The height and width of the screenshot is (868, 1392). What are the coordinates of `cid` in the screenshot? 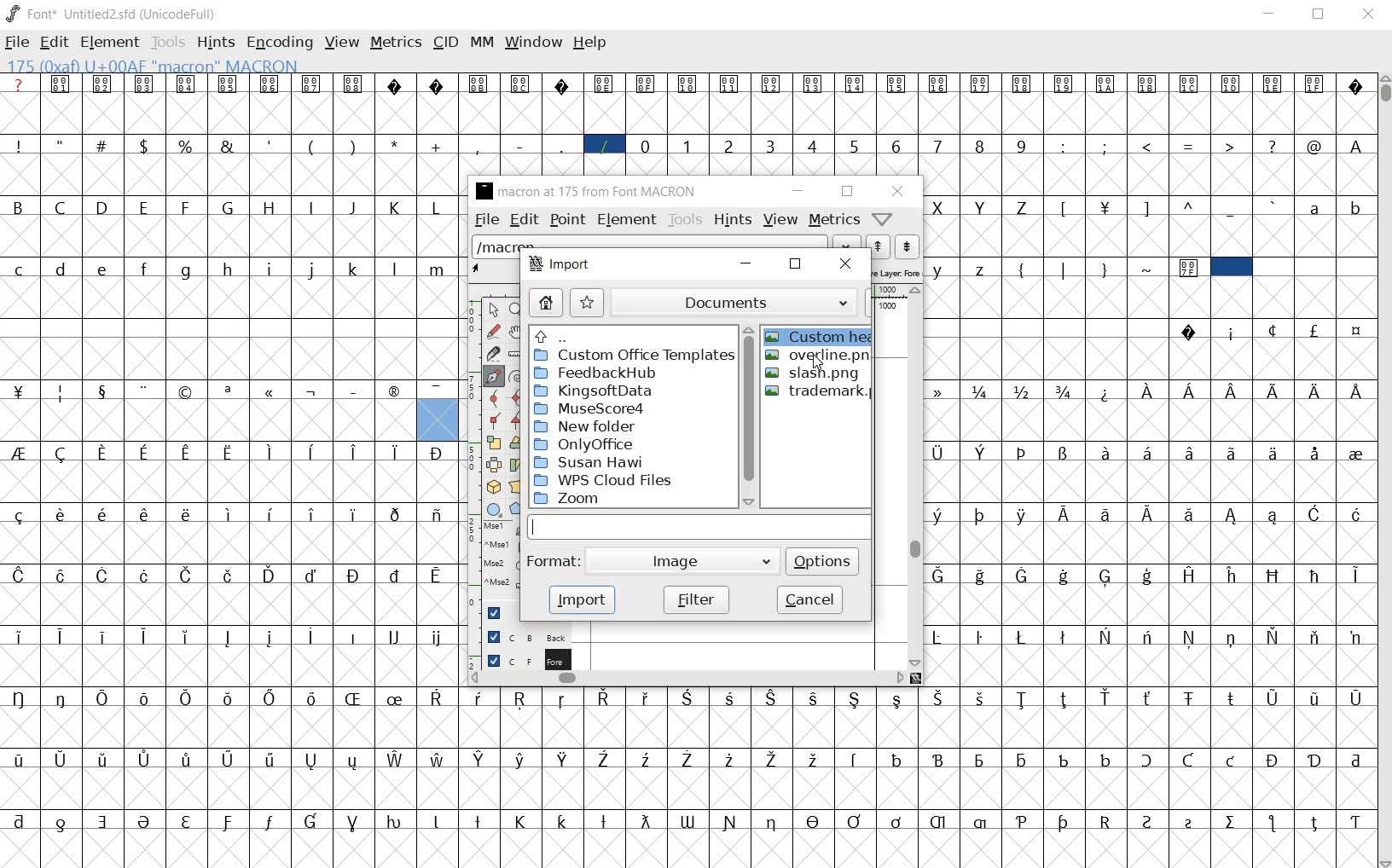 It's located at (445, 43).